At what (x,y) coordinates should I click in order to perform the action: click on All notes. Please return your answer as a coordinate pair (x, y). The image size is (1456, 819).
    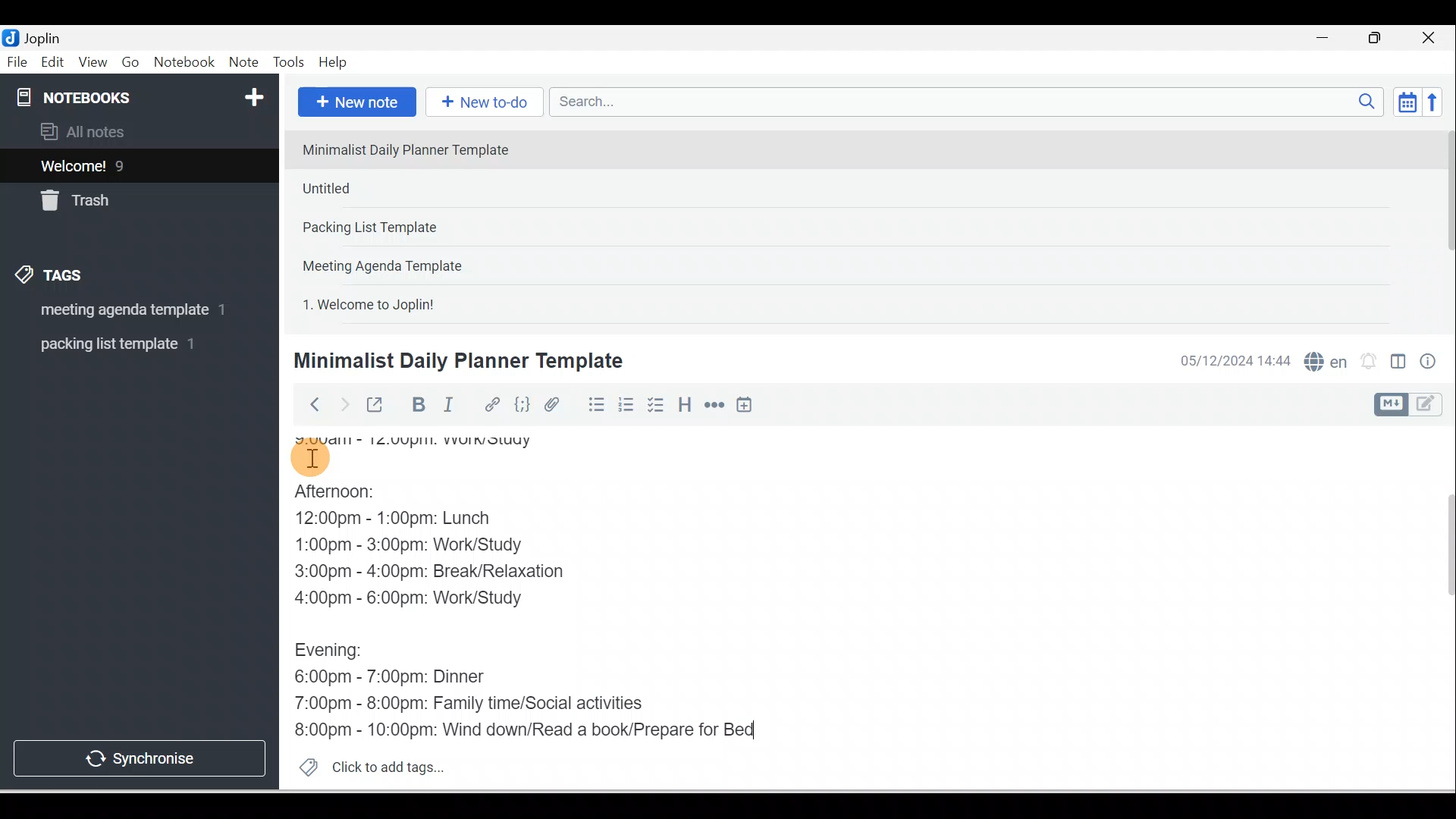
    Looking at the image, I should click on (137, 131).